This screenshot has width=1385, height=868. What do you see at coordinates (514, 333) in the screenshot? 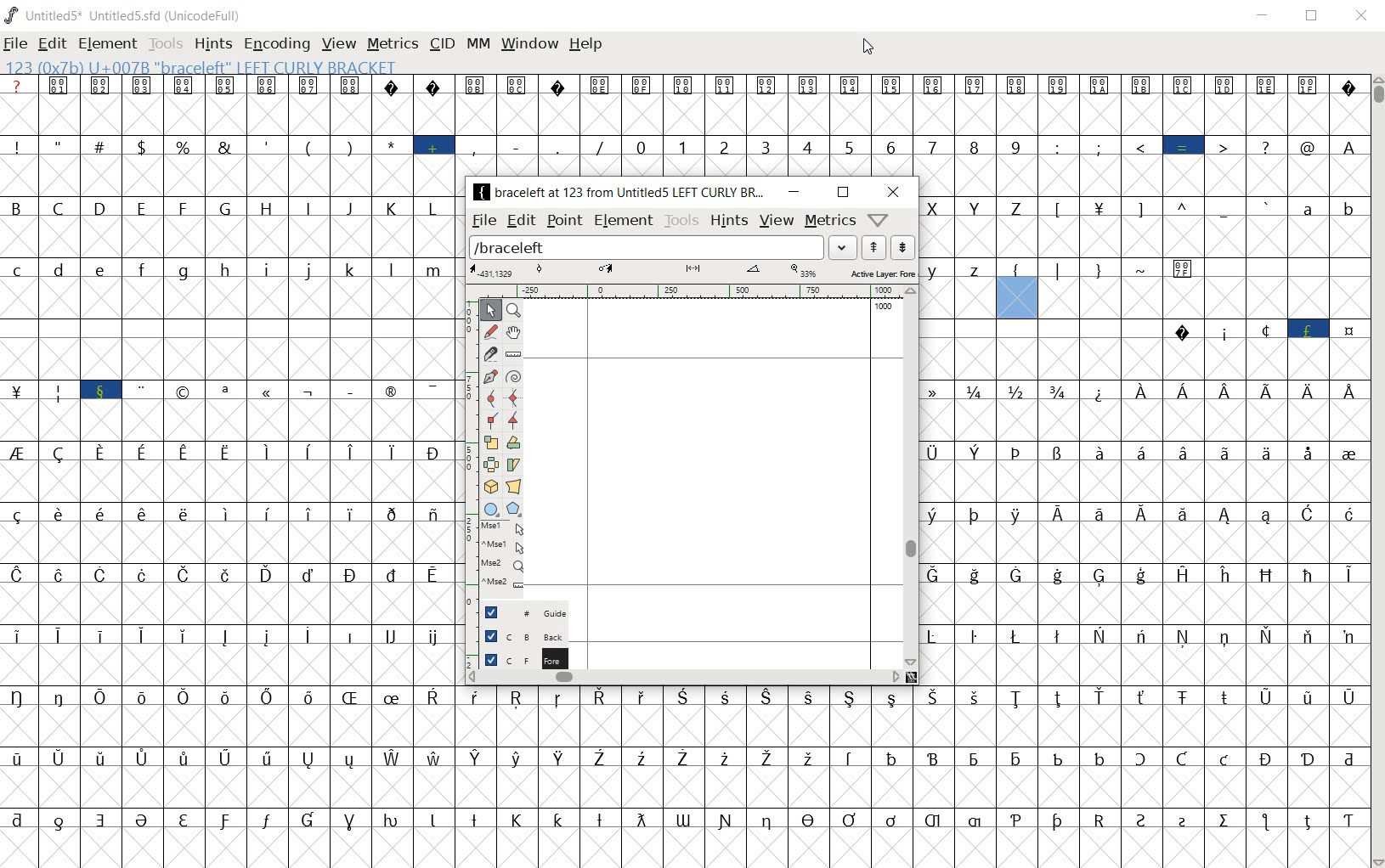
I see `scroll by hand` at bounding box center [514, 333].